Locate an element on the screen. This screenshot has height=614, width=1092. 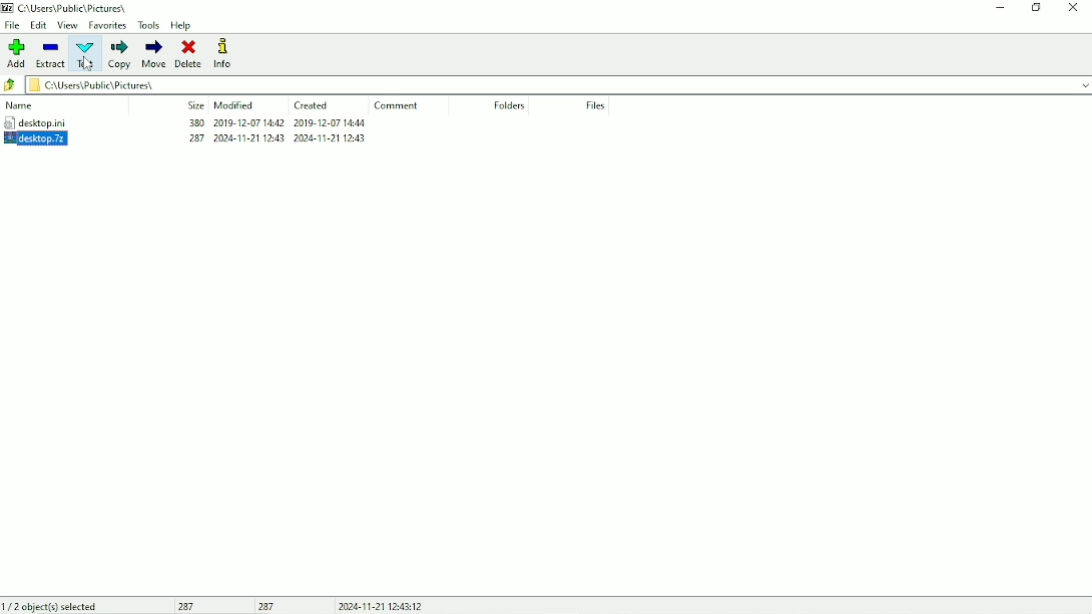
283 is located at coordinates (191, 139).